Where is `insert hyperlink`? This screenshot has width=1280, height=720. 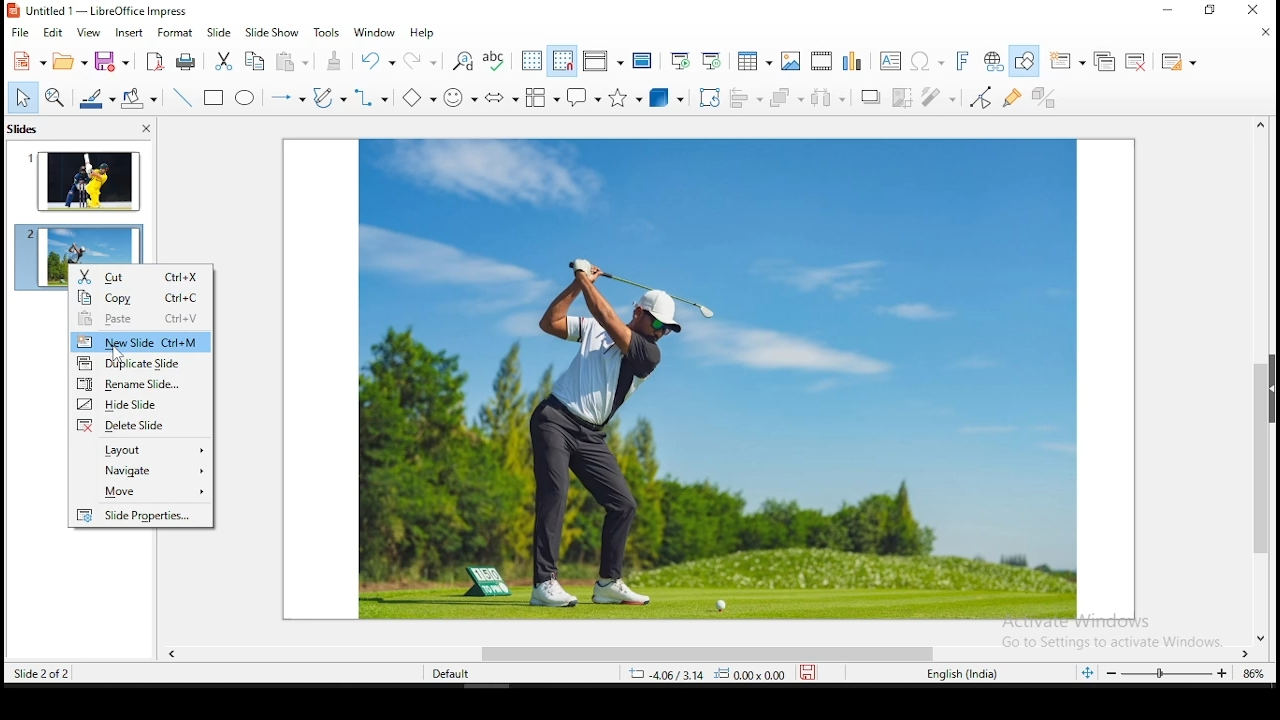
insert hyperlink is located at coordinates (991, 61).